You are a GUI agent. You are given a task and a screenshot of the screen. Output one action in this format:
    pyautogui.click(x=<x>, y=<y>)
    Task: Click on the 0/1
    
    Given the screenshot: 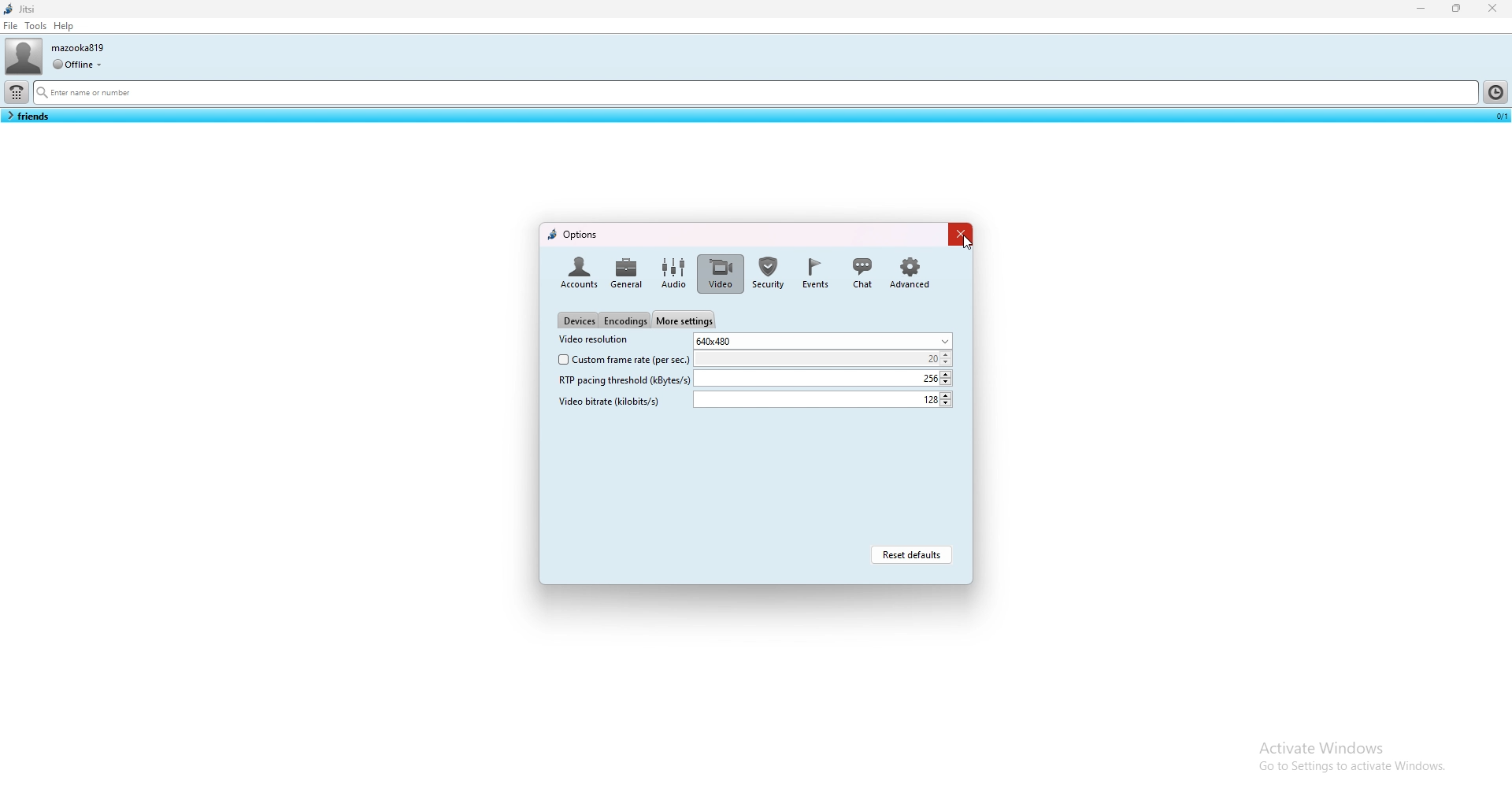 What is the action you would take?
    pyautogui.click(x=1499, y=118)
    